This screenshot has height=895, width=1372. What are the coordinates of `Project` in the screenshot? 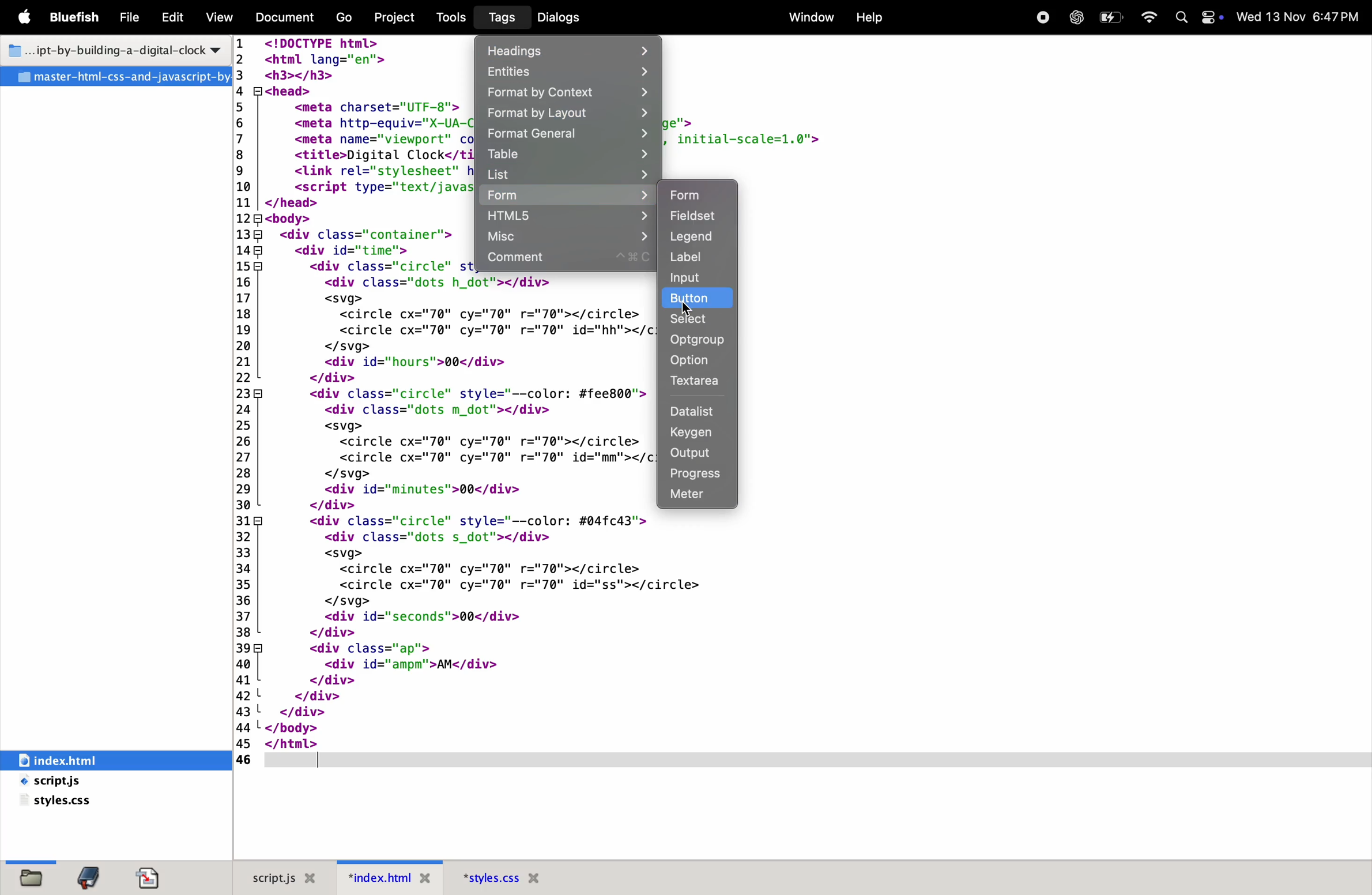 It's located at (392, 17).